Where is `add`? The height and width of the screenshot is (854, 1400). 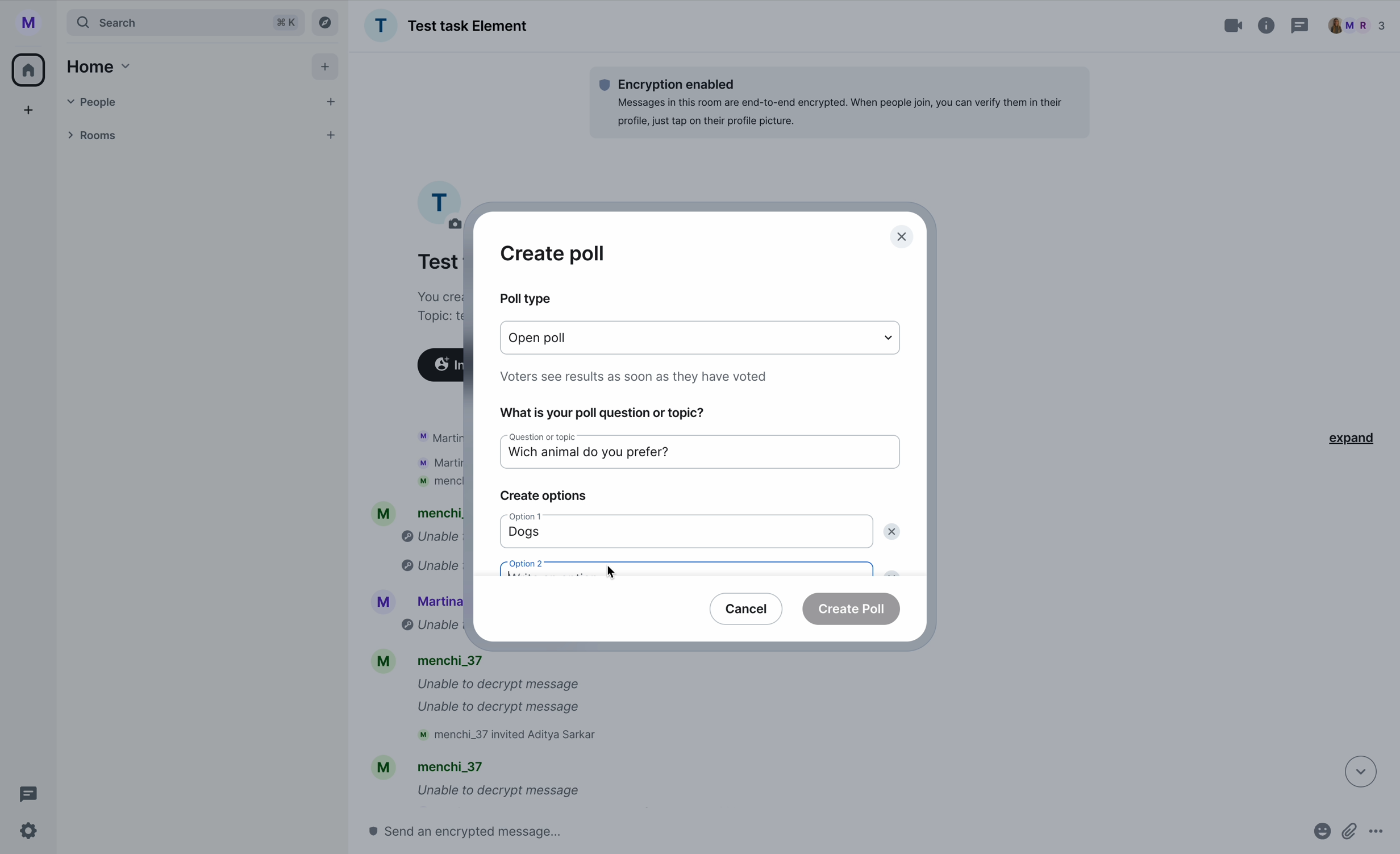 add is located at coordinates (30, 113).